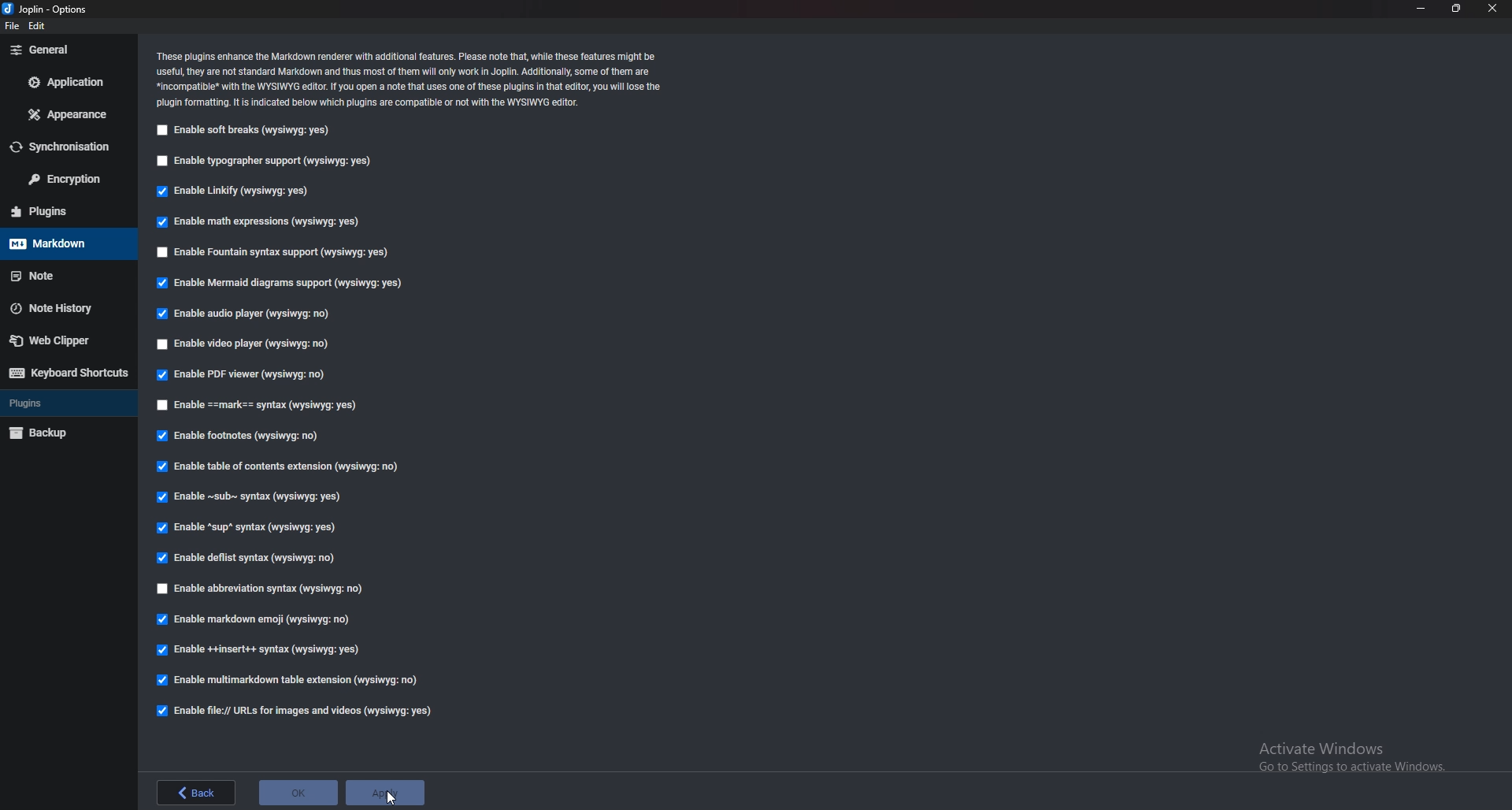  What do you see at coordinates (267, 162) in the screenshot?
I see `Enable typographer support` at bounding box center [267, 162].